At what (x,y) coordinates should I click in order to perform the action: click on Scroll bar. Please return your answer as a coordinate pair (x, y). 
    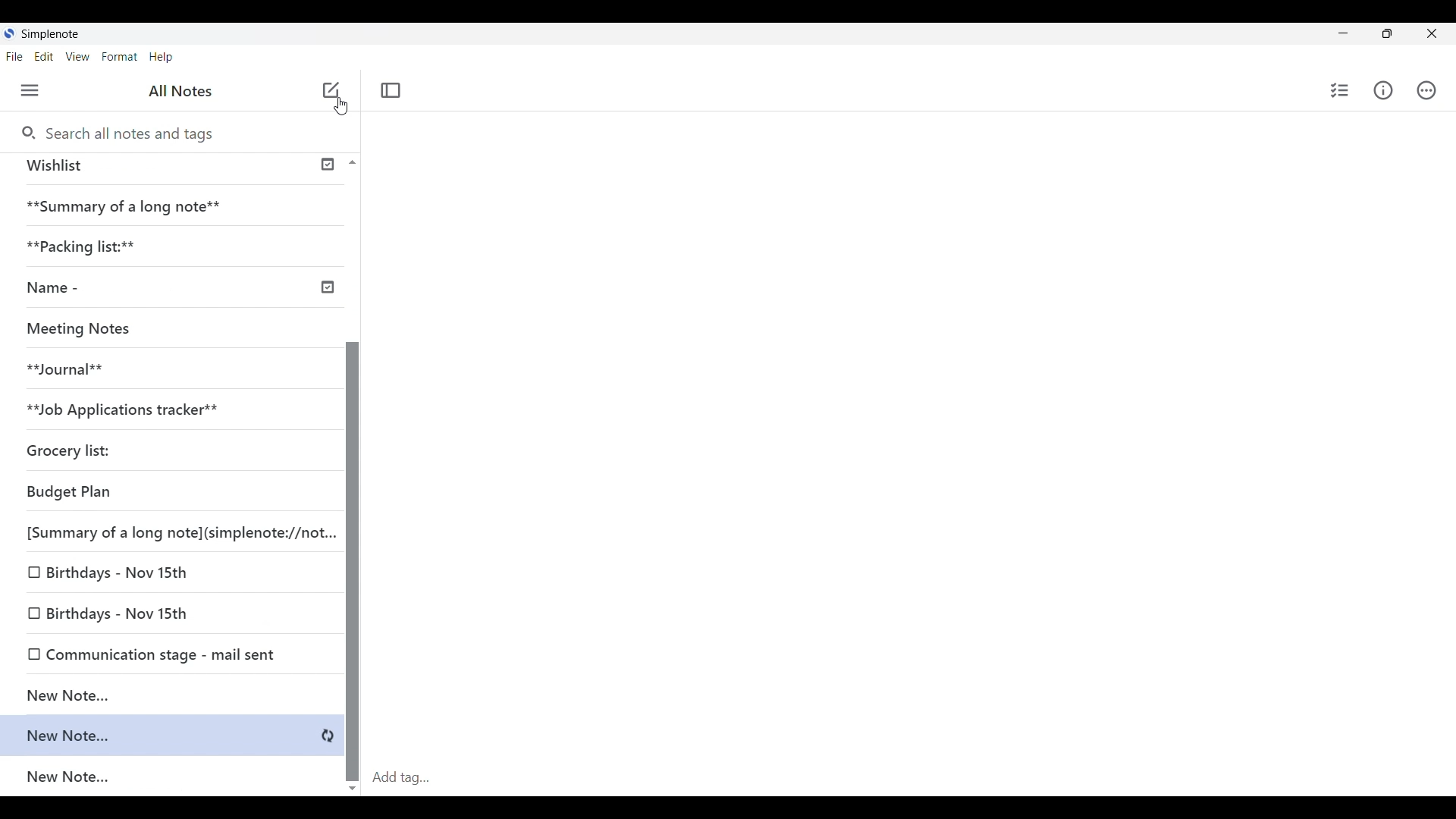
    Looking at the image, I should click on (352, 523).